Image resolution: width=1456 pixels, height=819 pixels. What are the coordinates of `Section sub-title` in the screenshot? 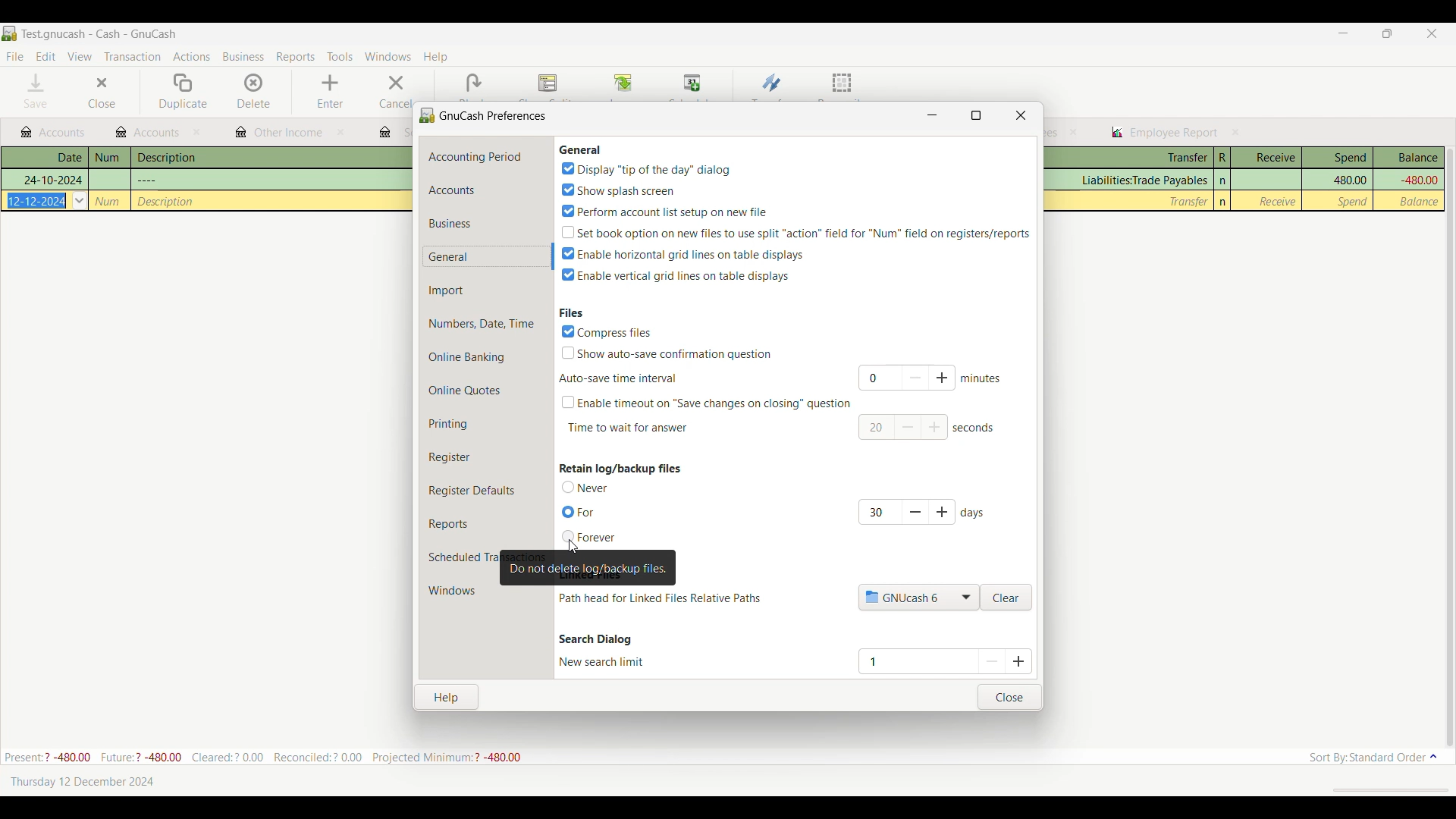 It's located at (617, 378).